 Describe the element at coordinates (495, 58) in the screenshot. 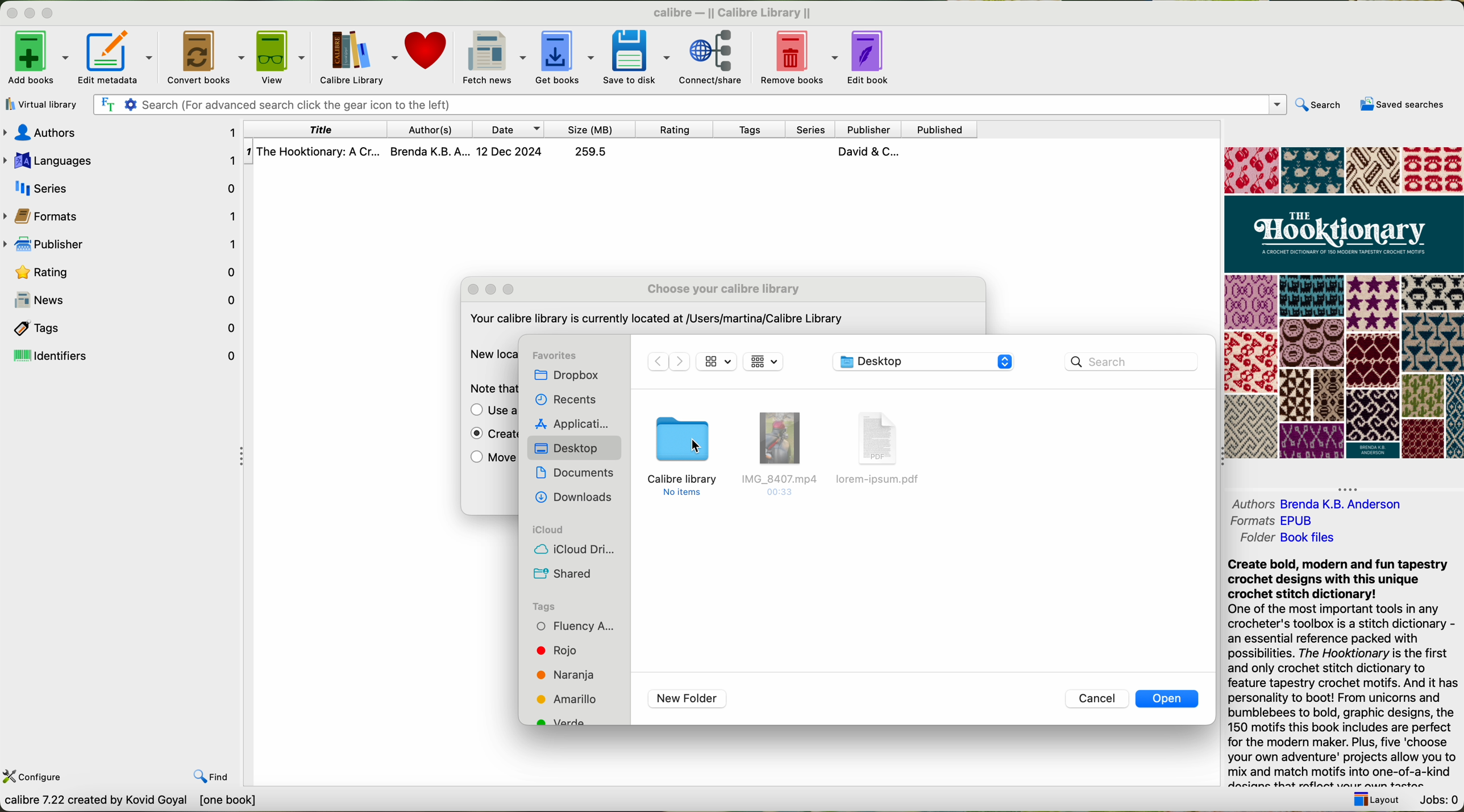

I see `fetch news` at that location.